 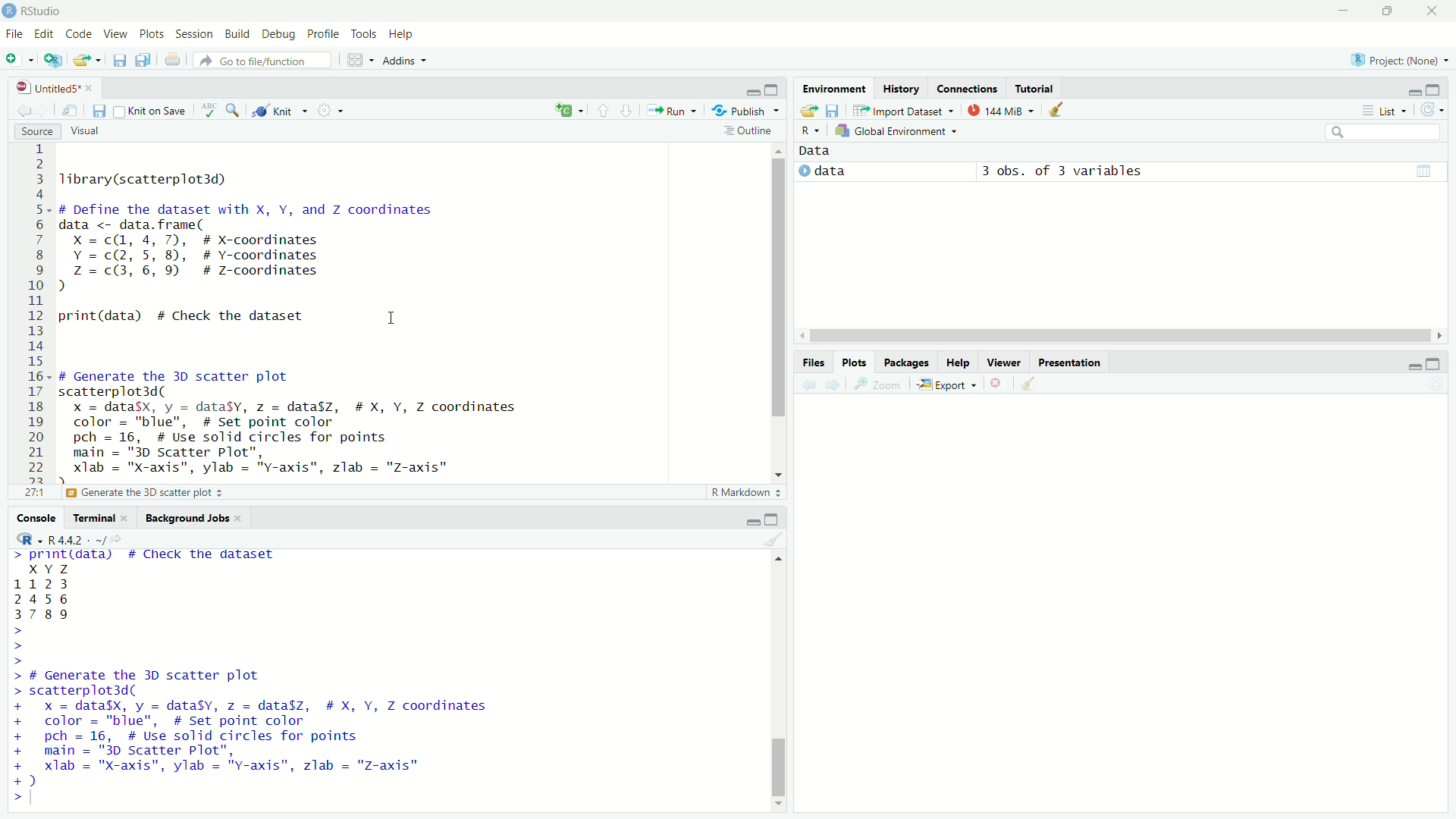 I want to click on Addins, so click(x=404, y=60).